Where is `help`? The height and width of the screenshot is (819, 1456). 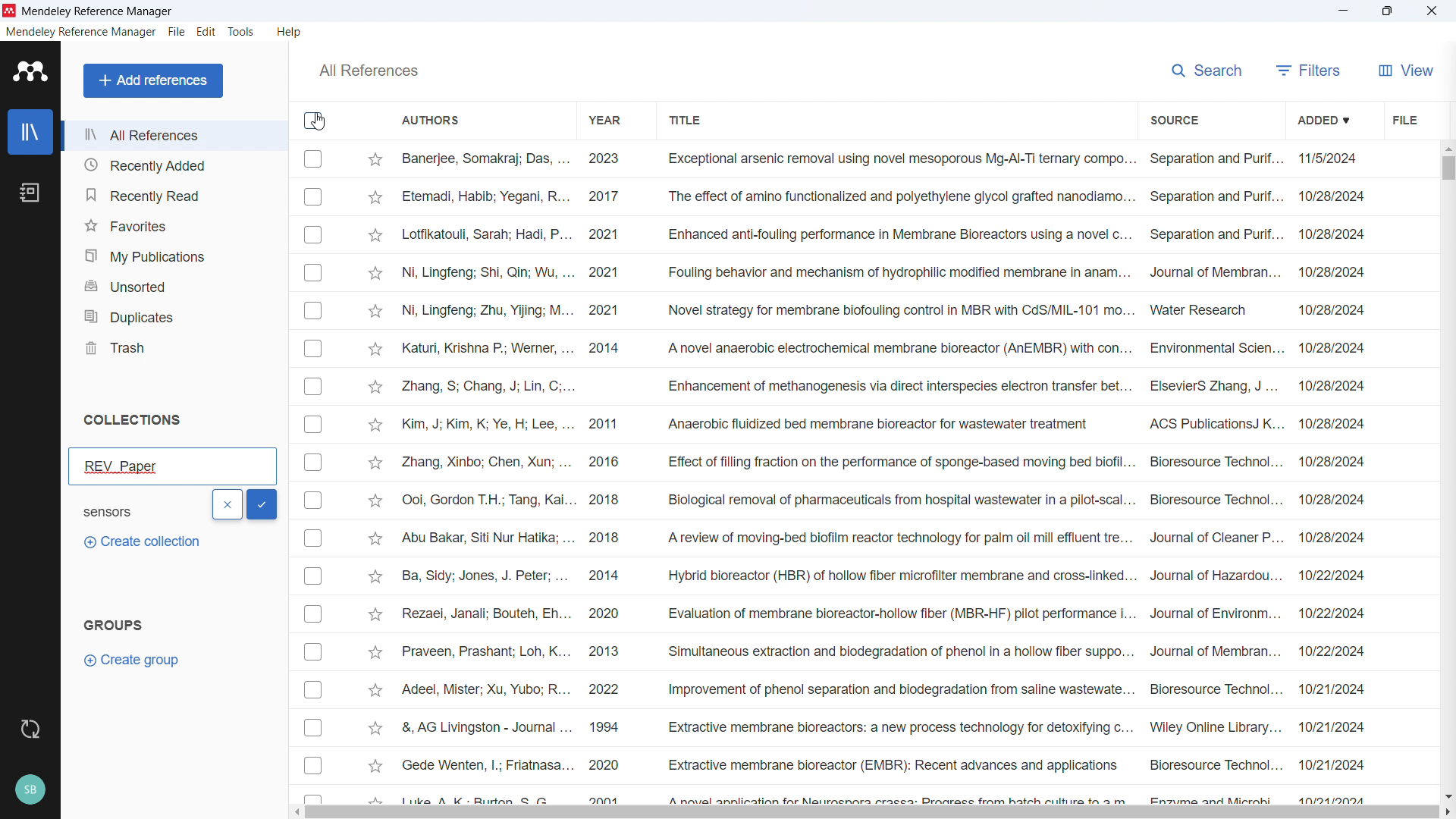
help is located at coordinates (291, 31).